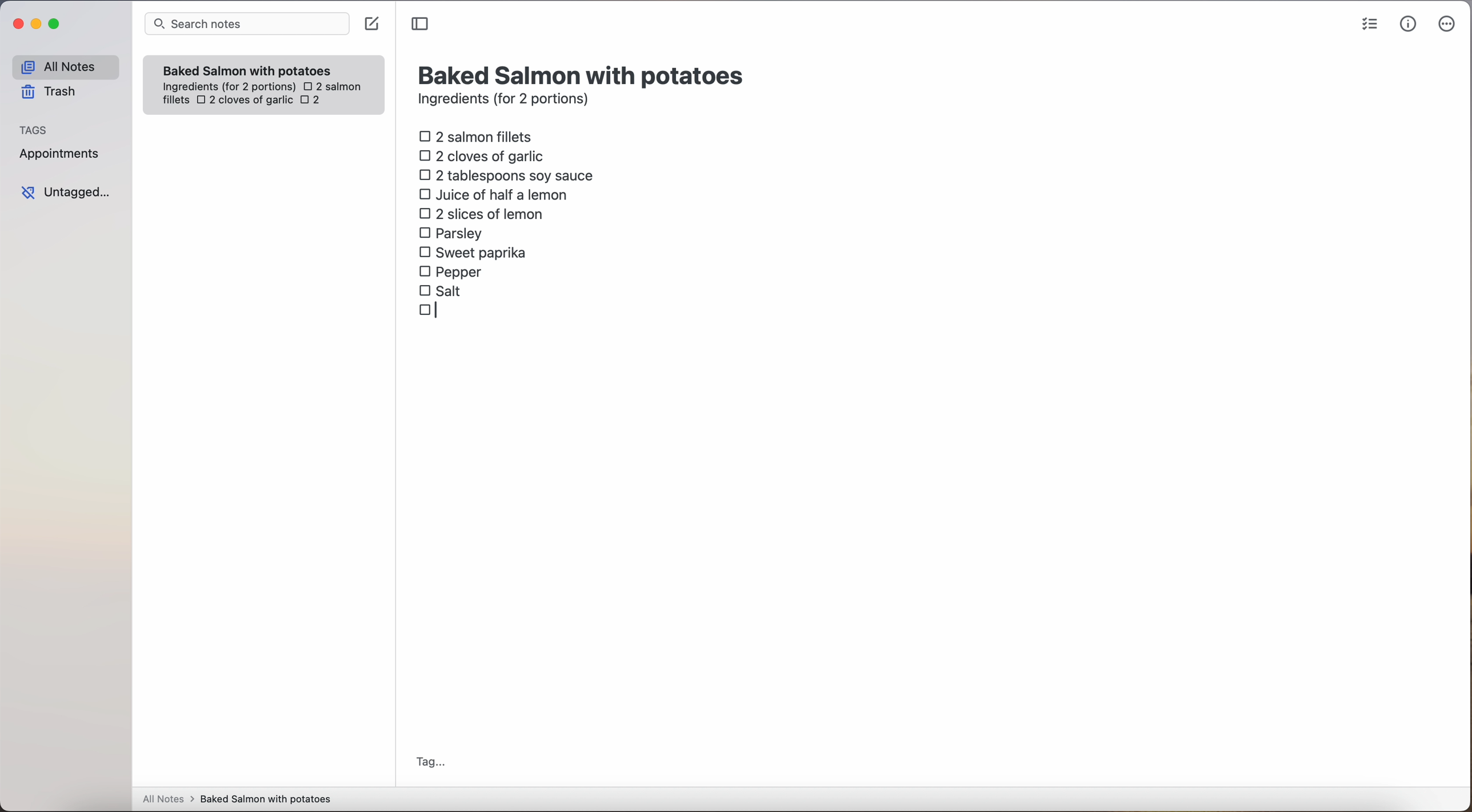  Describe the element at coordinates (1409, 23) in the screenshot. I see `metrics` at that location.